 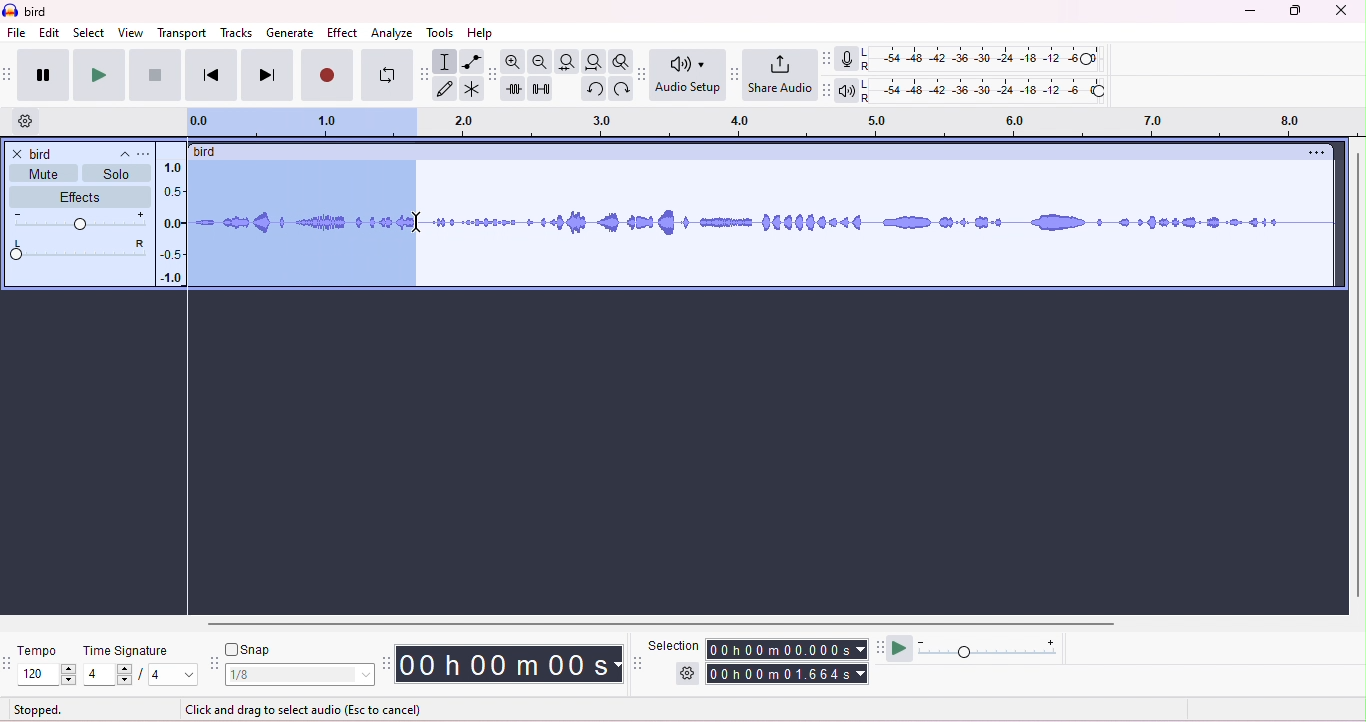 I want to click on track title, so click(x=81, y=153).